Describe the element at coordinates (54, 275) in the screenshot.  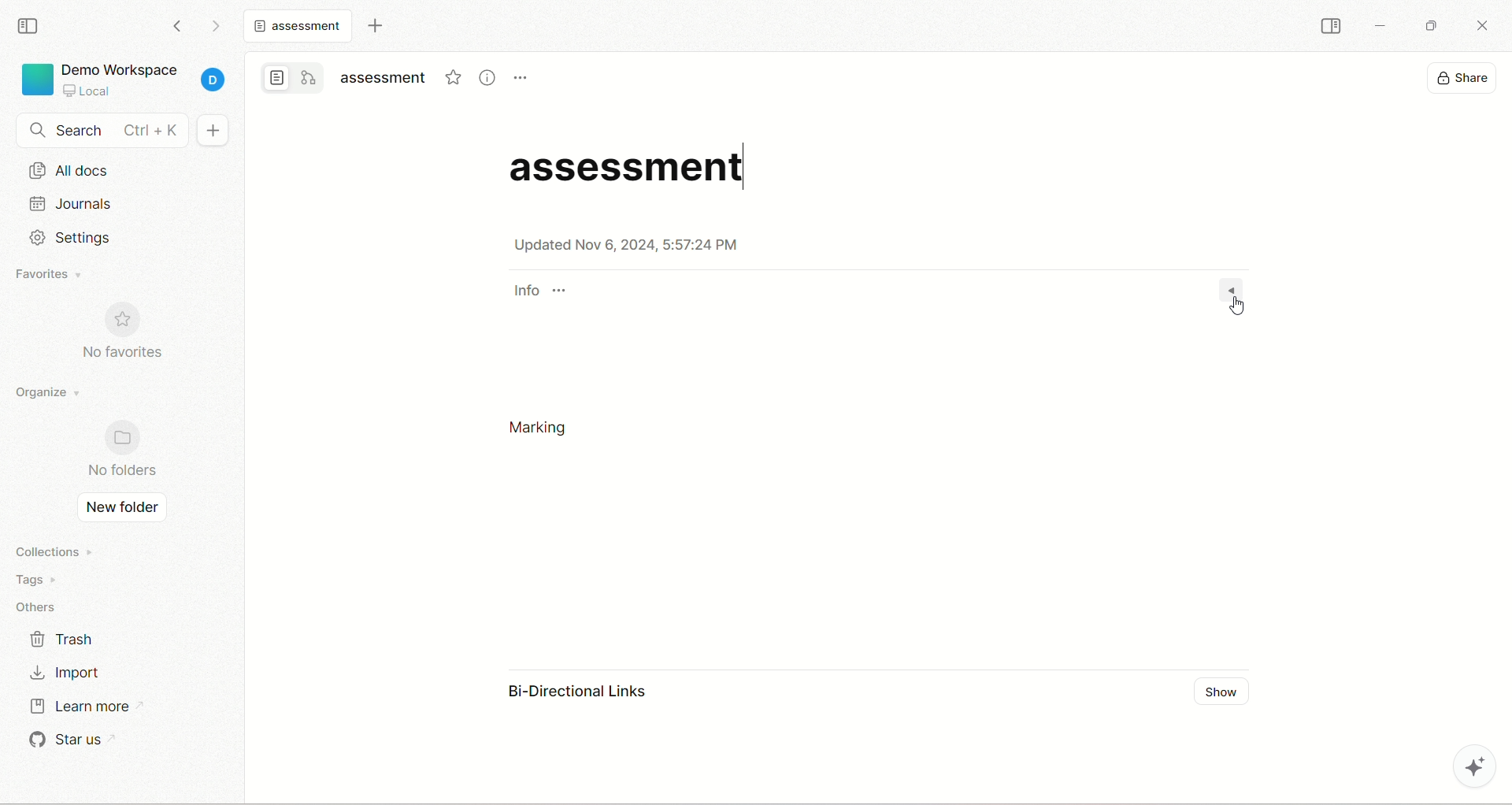
I see `favorites` at that location.